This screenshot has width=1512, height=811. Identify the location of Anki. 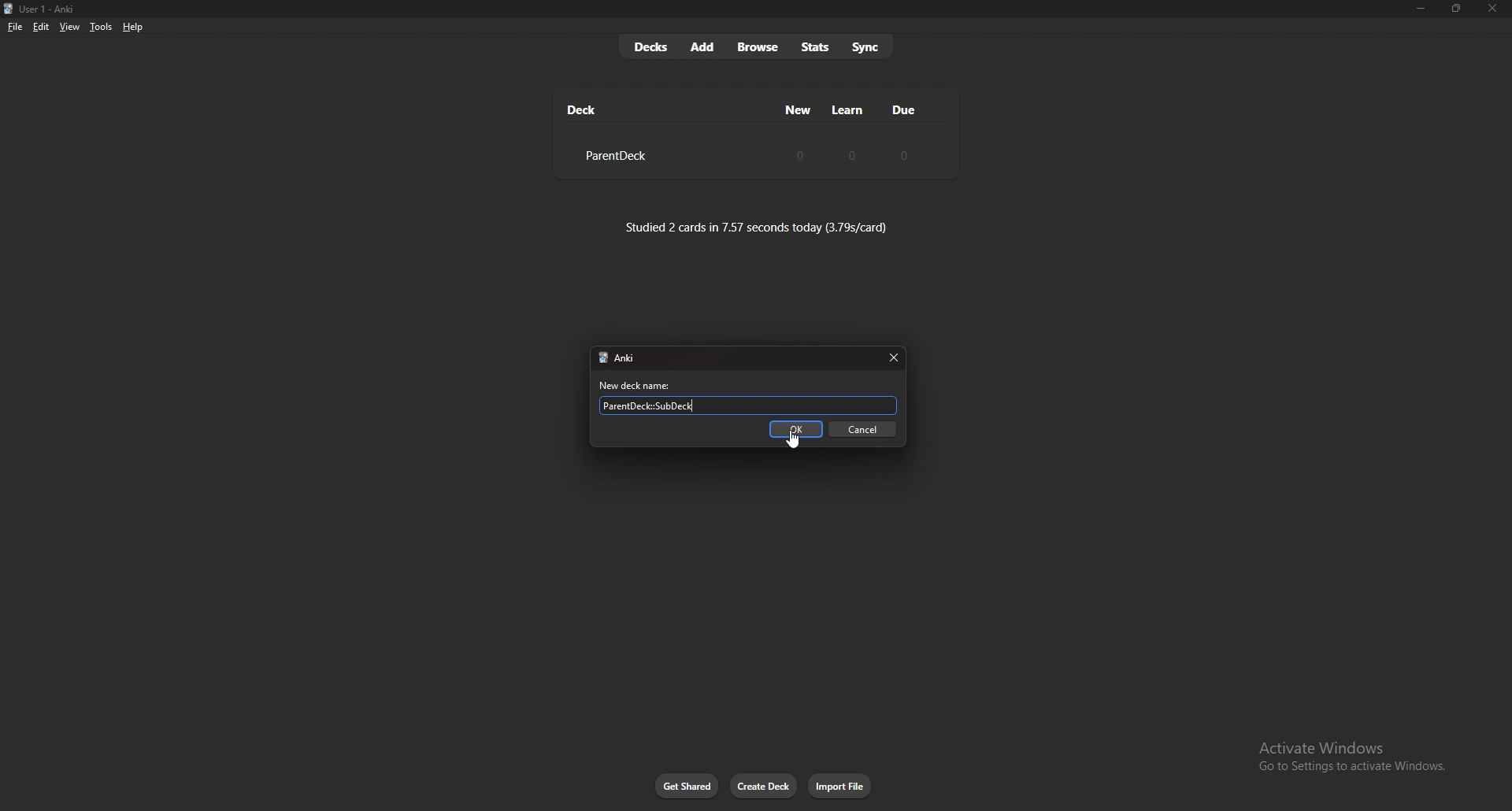
(635, 359).